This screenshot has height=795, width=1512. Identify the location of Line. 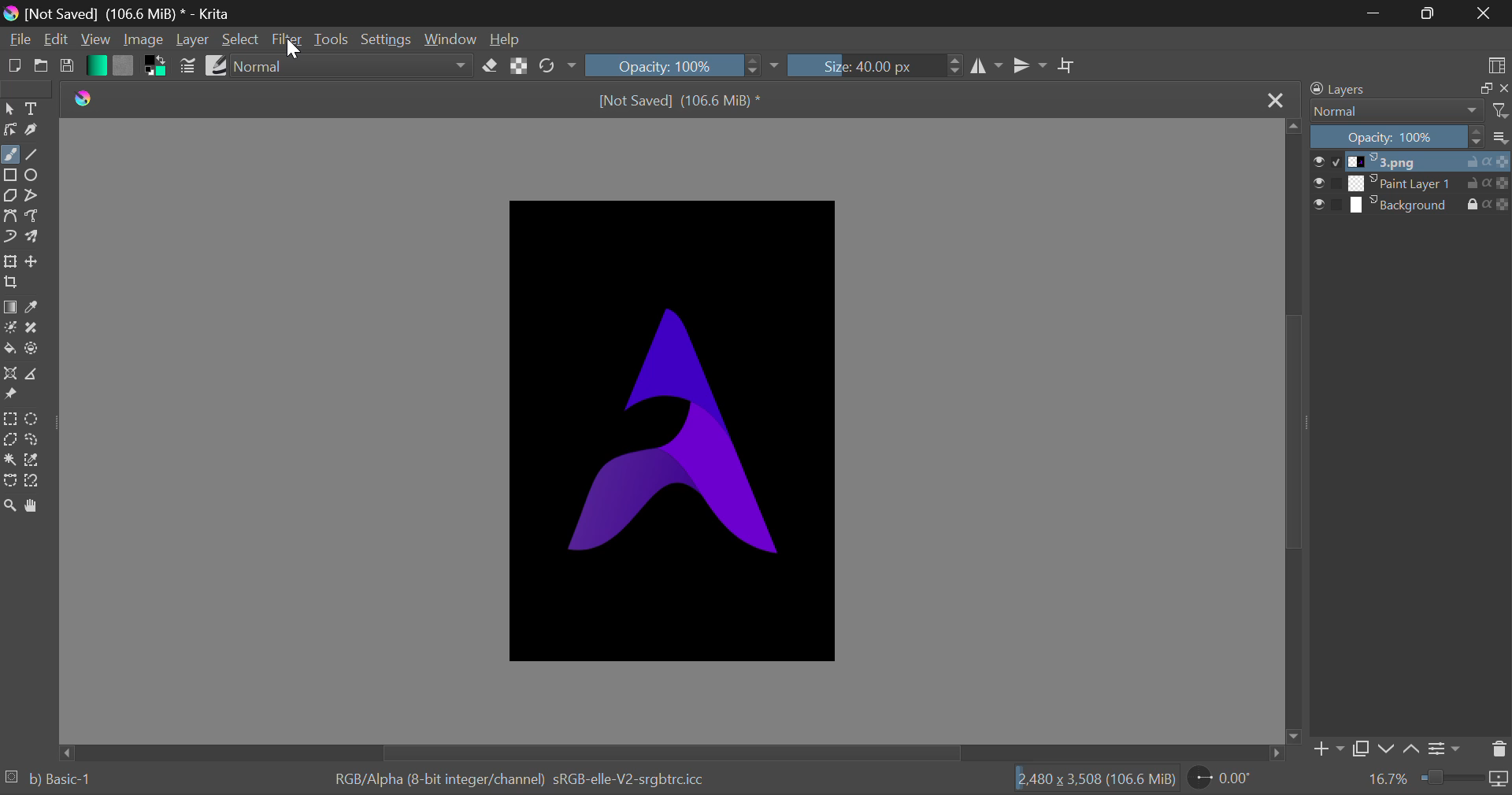
(35, 155).